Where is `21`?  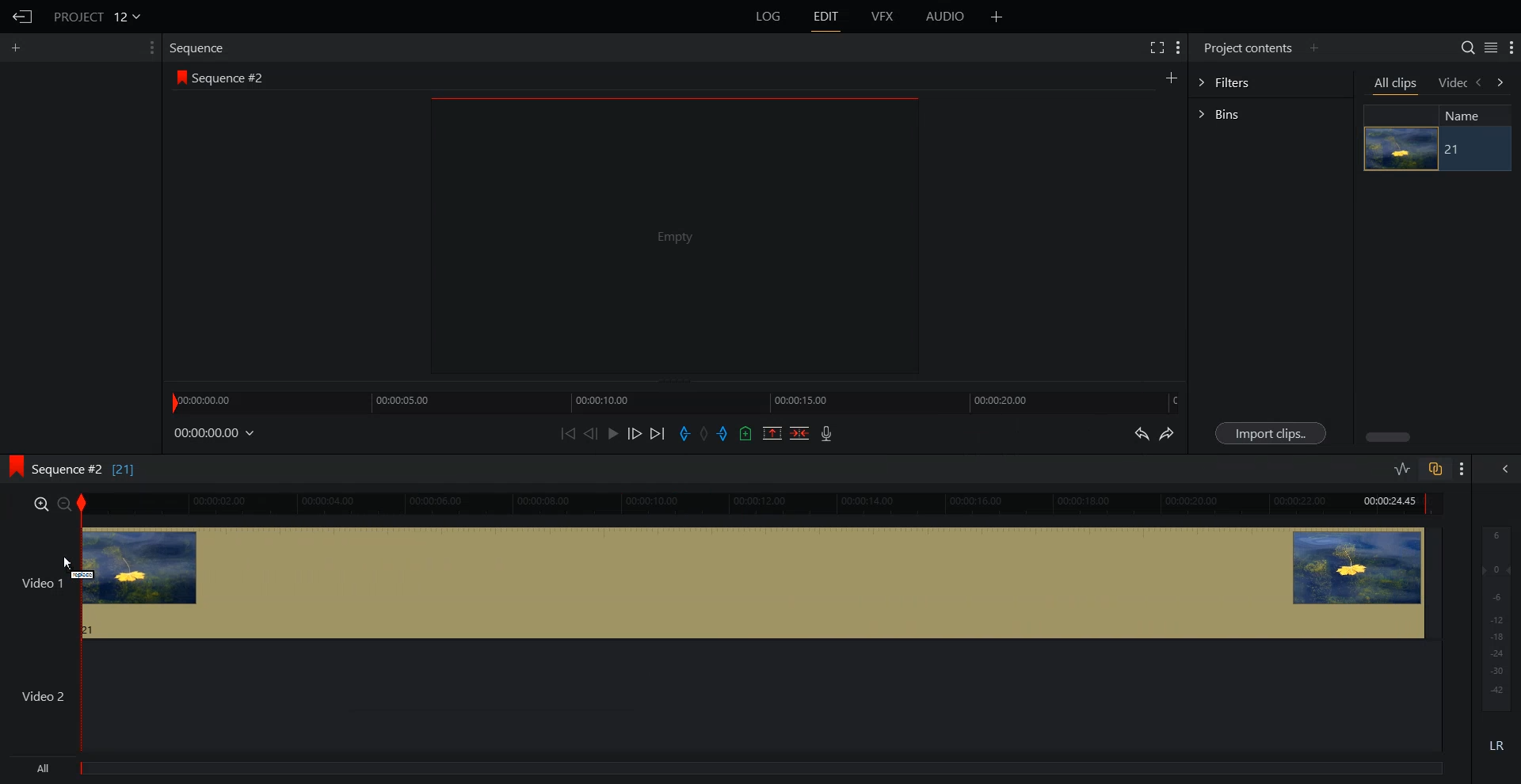 21 is located at coordinates (1473, 150).